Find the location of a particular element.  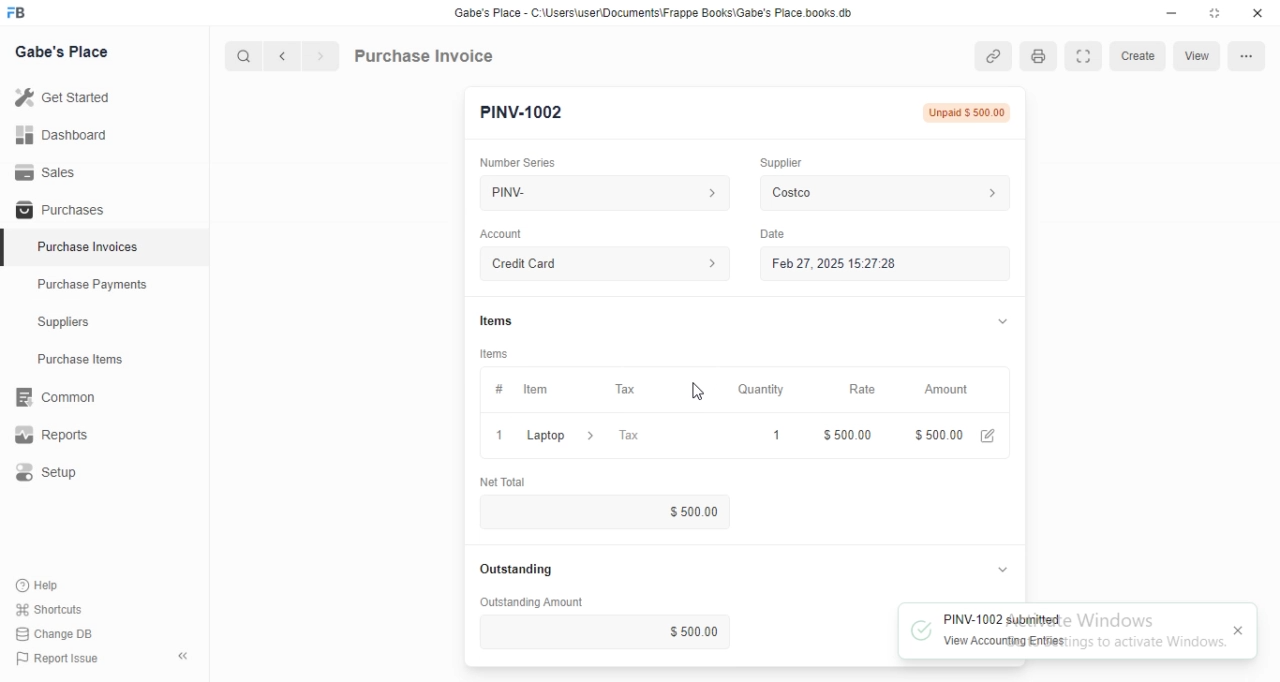

Amount is located at coordinates (937, 390).